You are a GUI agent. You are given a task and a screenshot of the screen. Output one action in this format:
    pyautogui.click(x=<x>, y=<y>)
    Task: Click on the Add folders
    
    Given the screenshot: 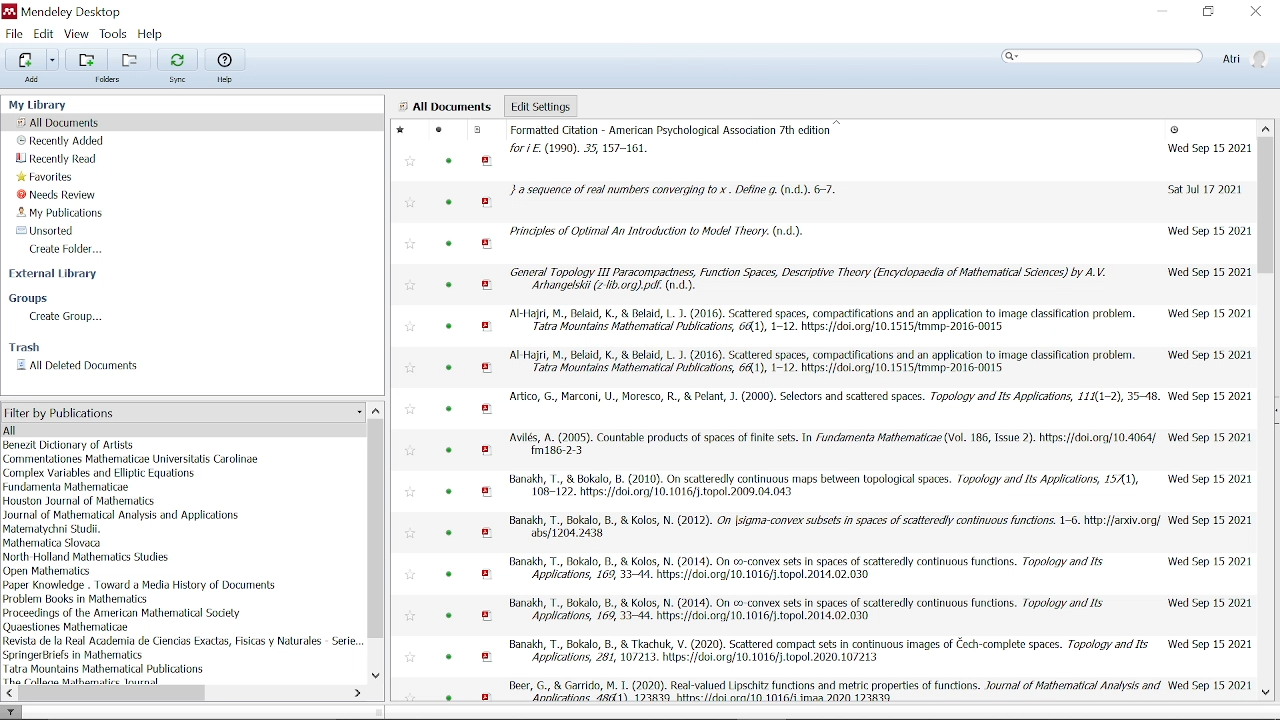 What is the action you would take?
    pyautogui.click(x=89, y=60)
    